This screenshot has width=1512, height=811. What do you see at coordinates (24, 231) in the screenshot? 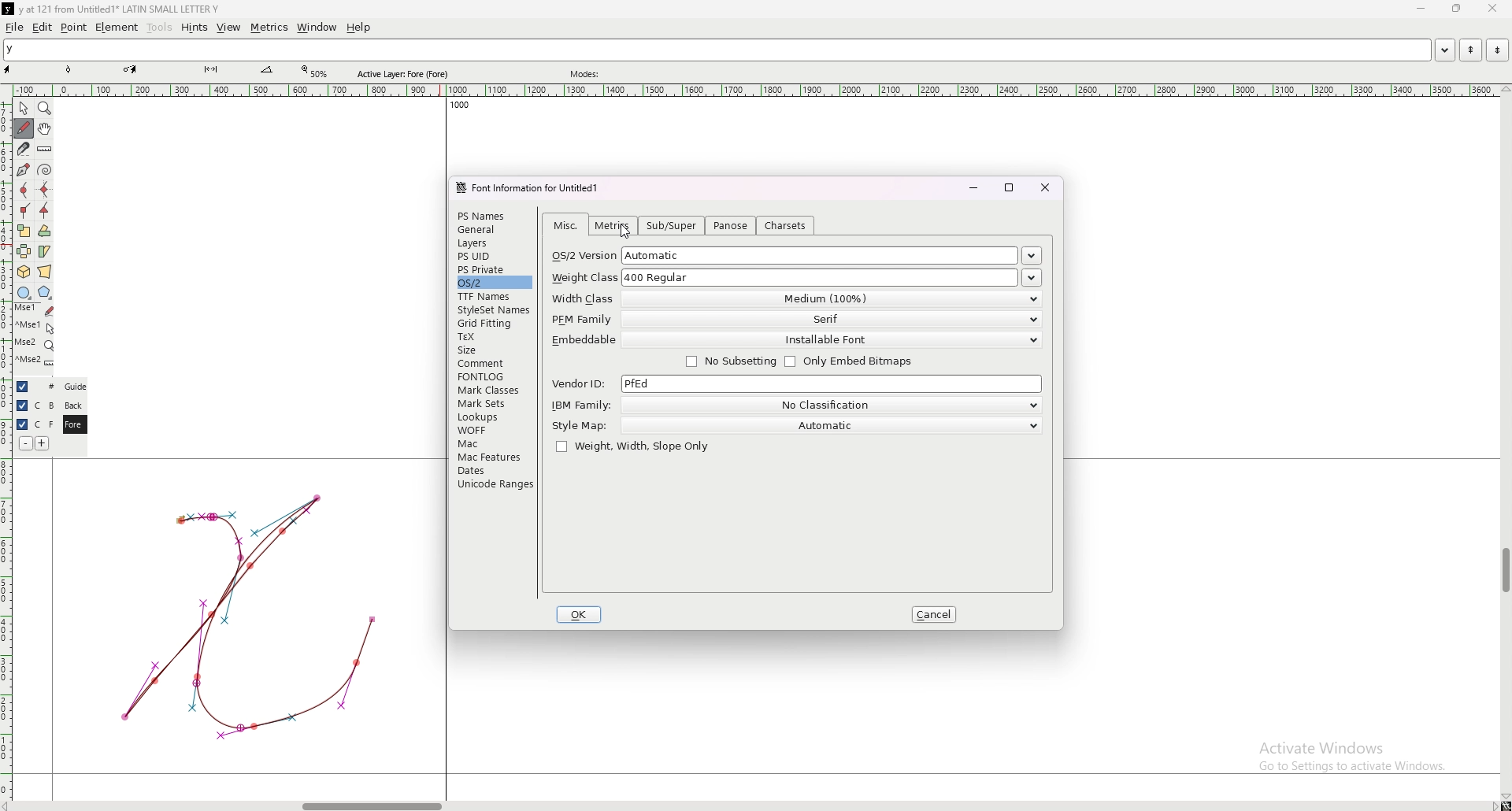
I see `scale the selection` at bounding box center [24, 231].